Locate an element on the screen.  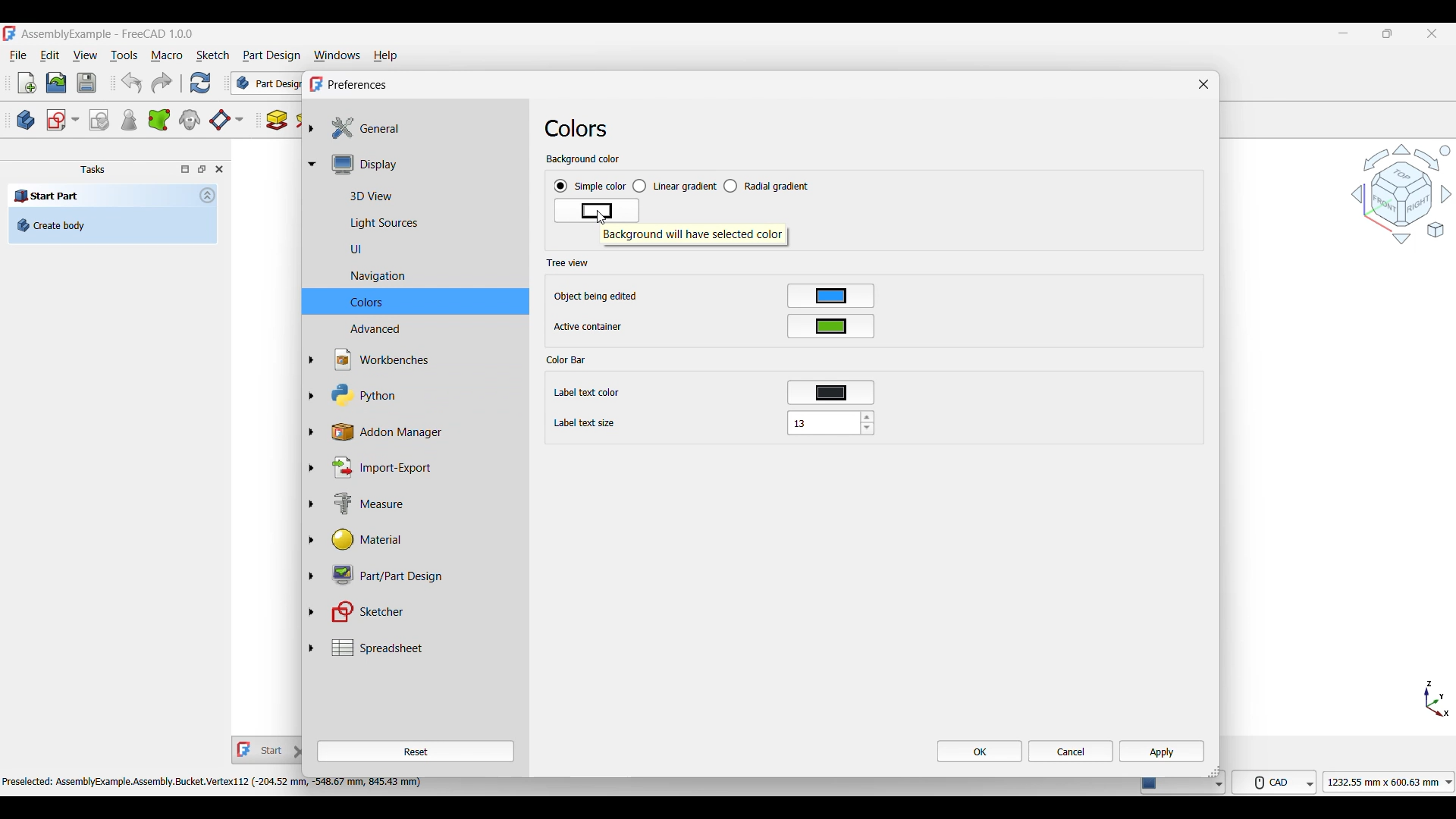
Preferences is located at coordinates (358, 85).